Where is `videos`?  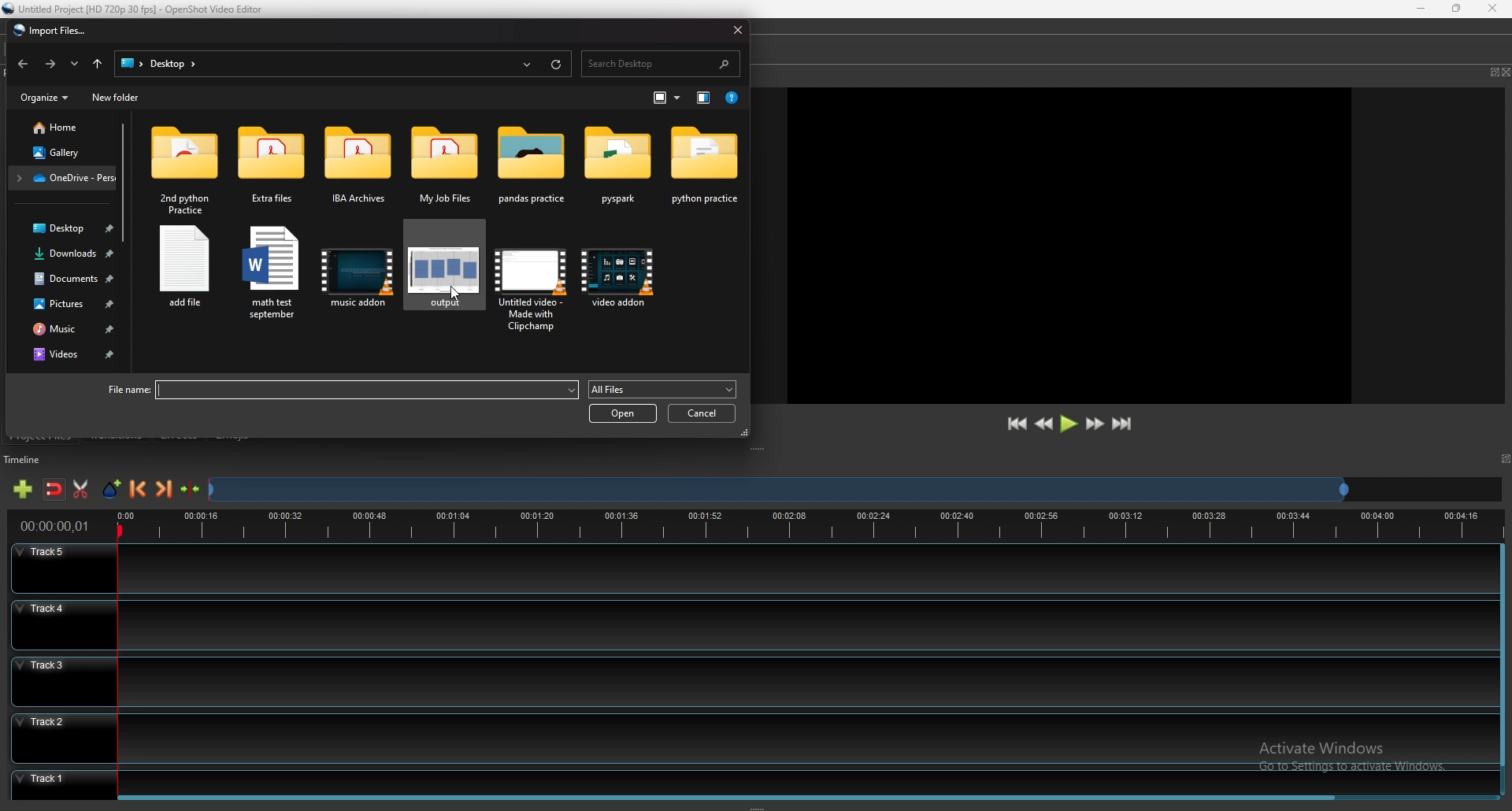
videos is located at coordinates (69, 355).